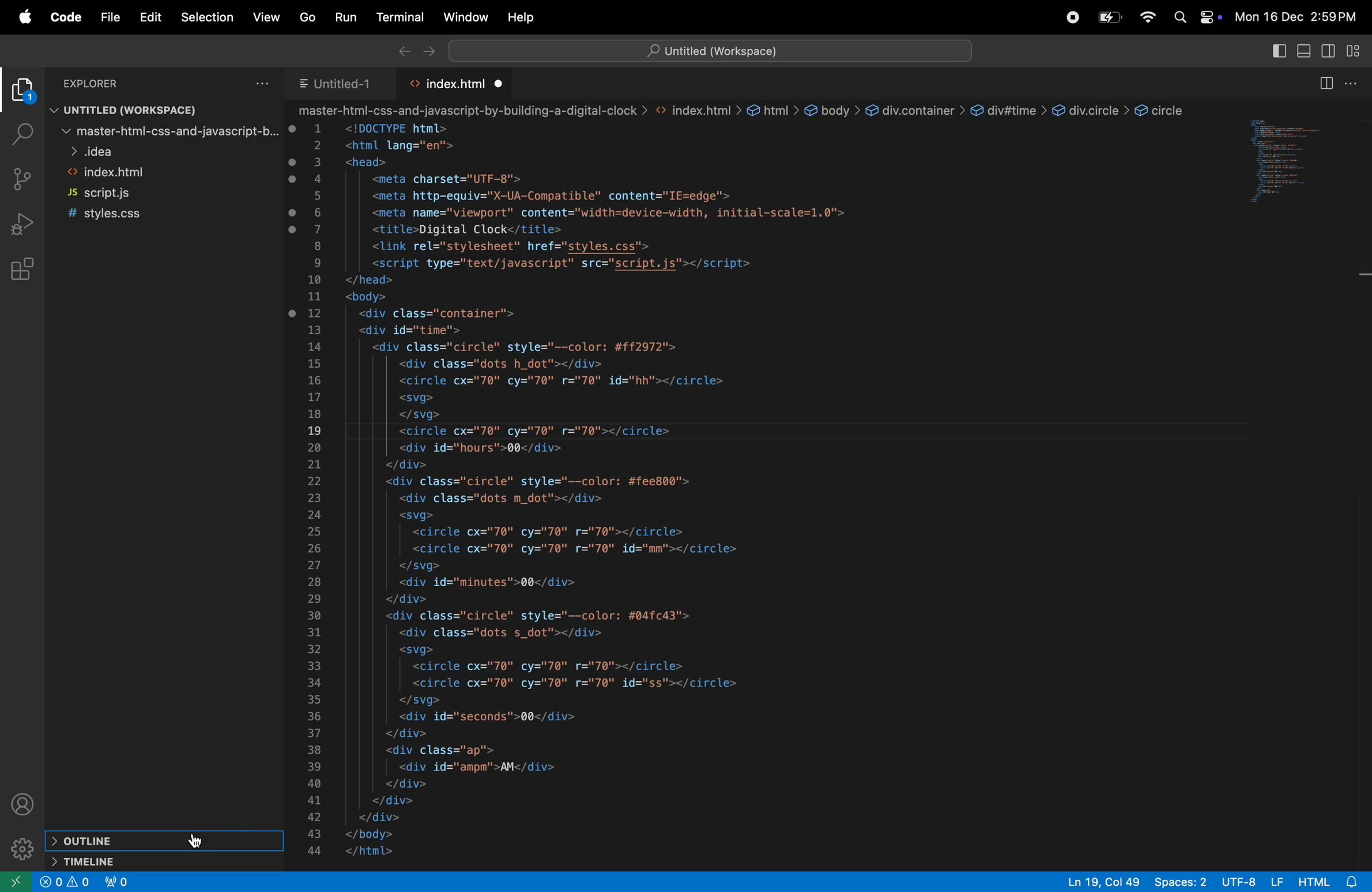  What do you see at coordinates (522, 18) in the screenshot?
I see `help` at bounding box center [522, 18].